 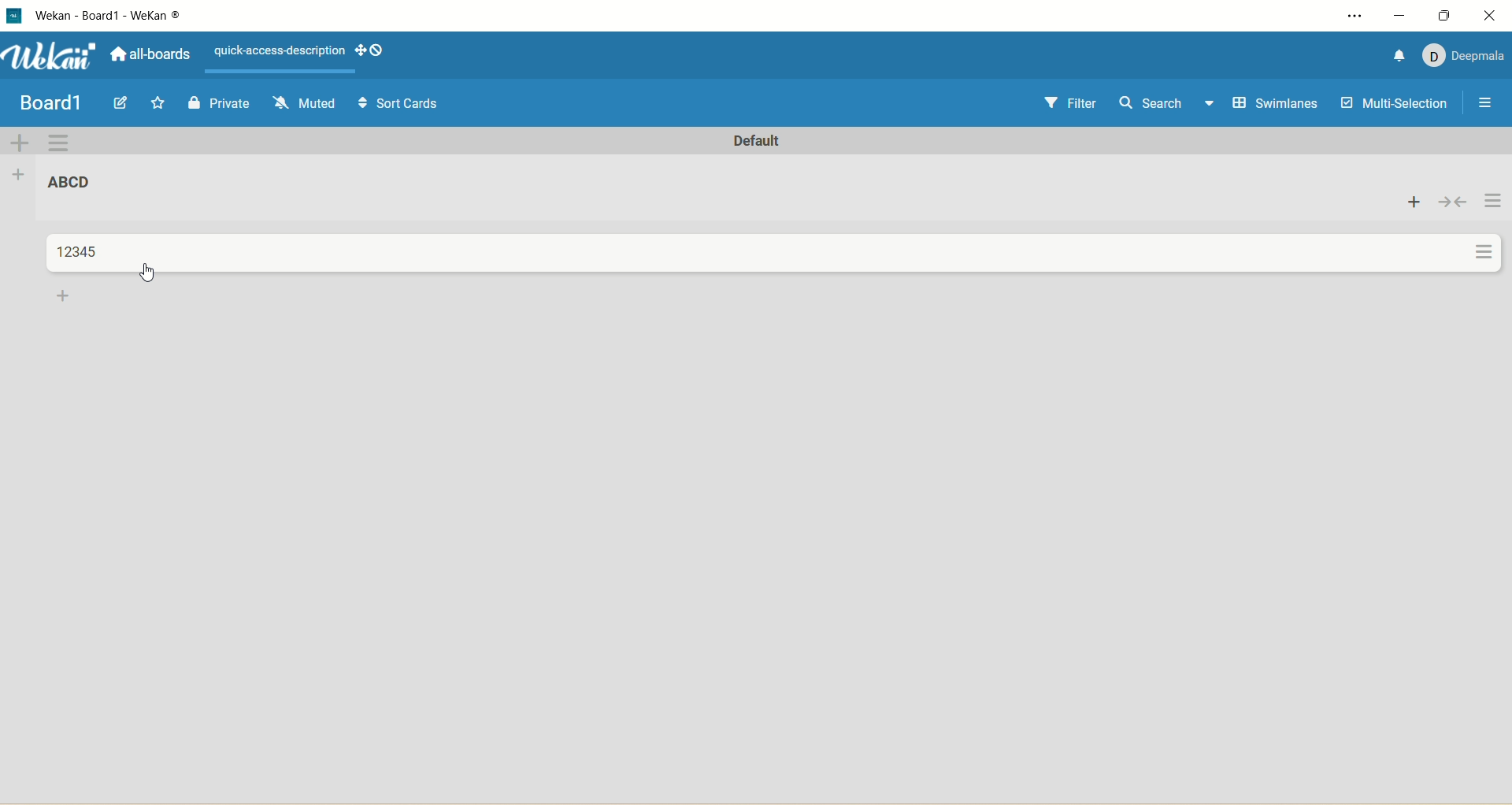 What do you see at coordinates (149, 57) in the screenshot?
I see `all boards` at bounding box center [149, 57].